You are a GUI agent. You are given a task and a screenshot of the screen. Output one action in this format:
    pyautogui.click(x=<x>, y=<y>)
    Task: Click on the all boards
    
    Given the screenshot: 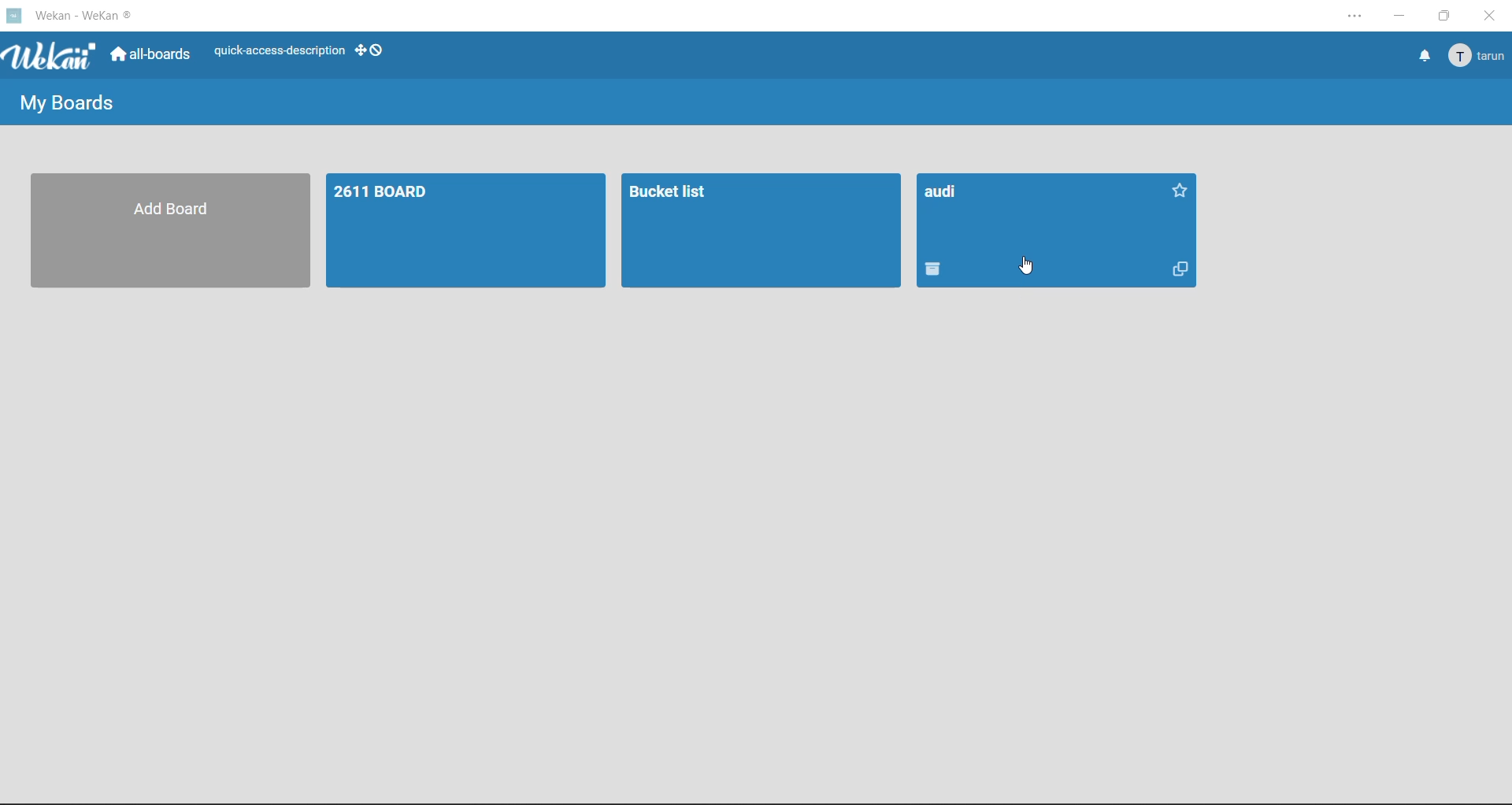 What is the action you would take?
    pyautogui.click(x=150, y=56)
    